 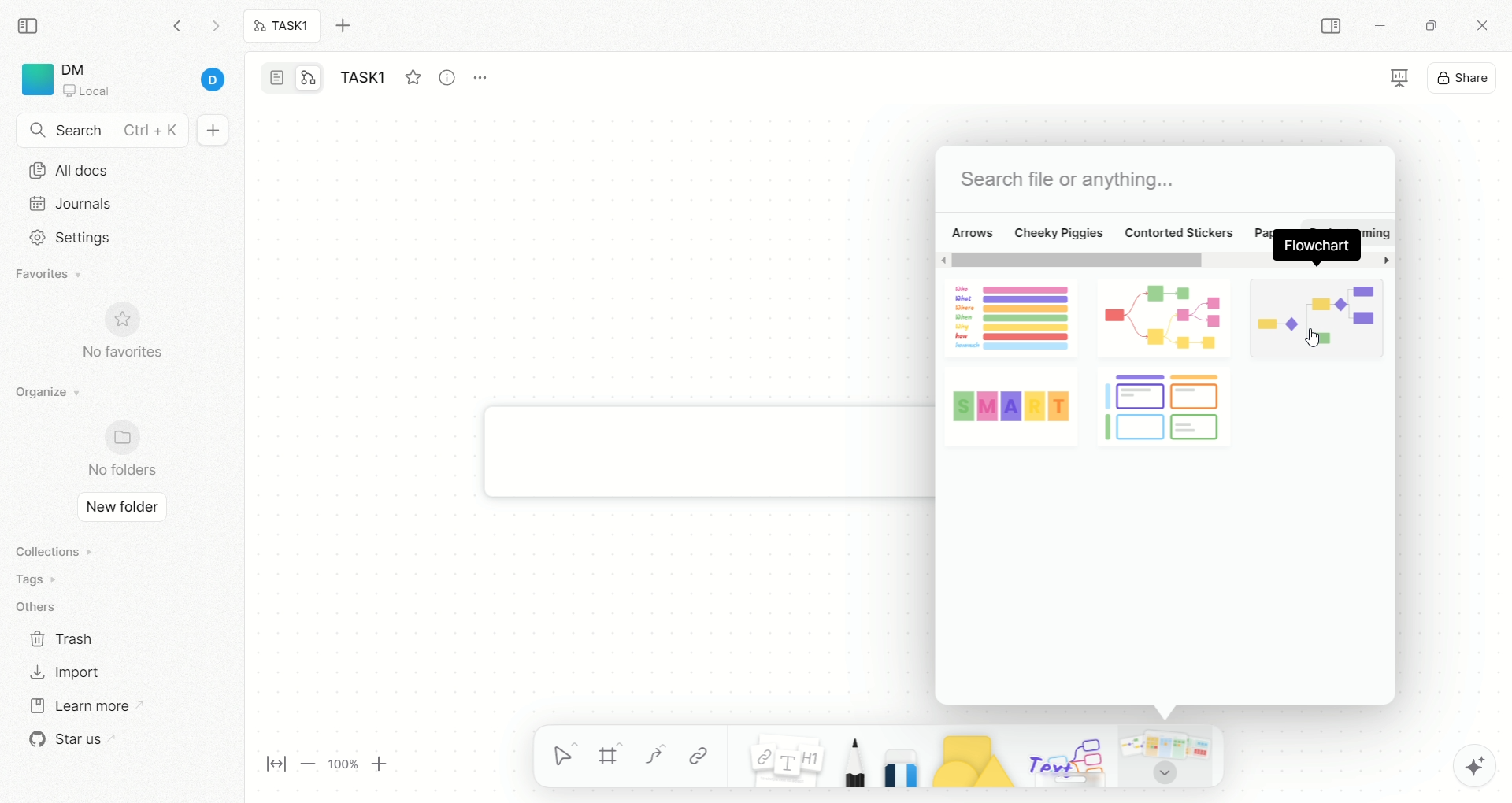 What do you see at coordinates (777, 756) in the screenshot?
I see `notes` at bounding box center [777, 756].